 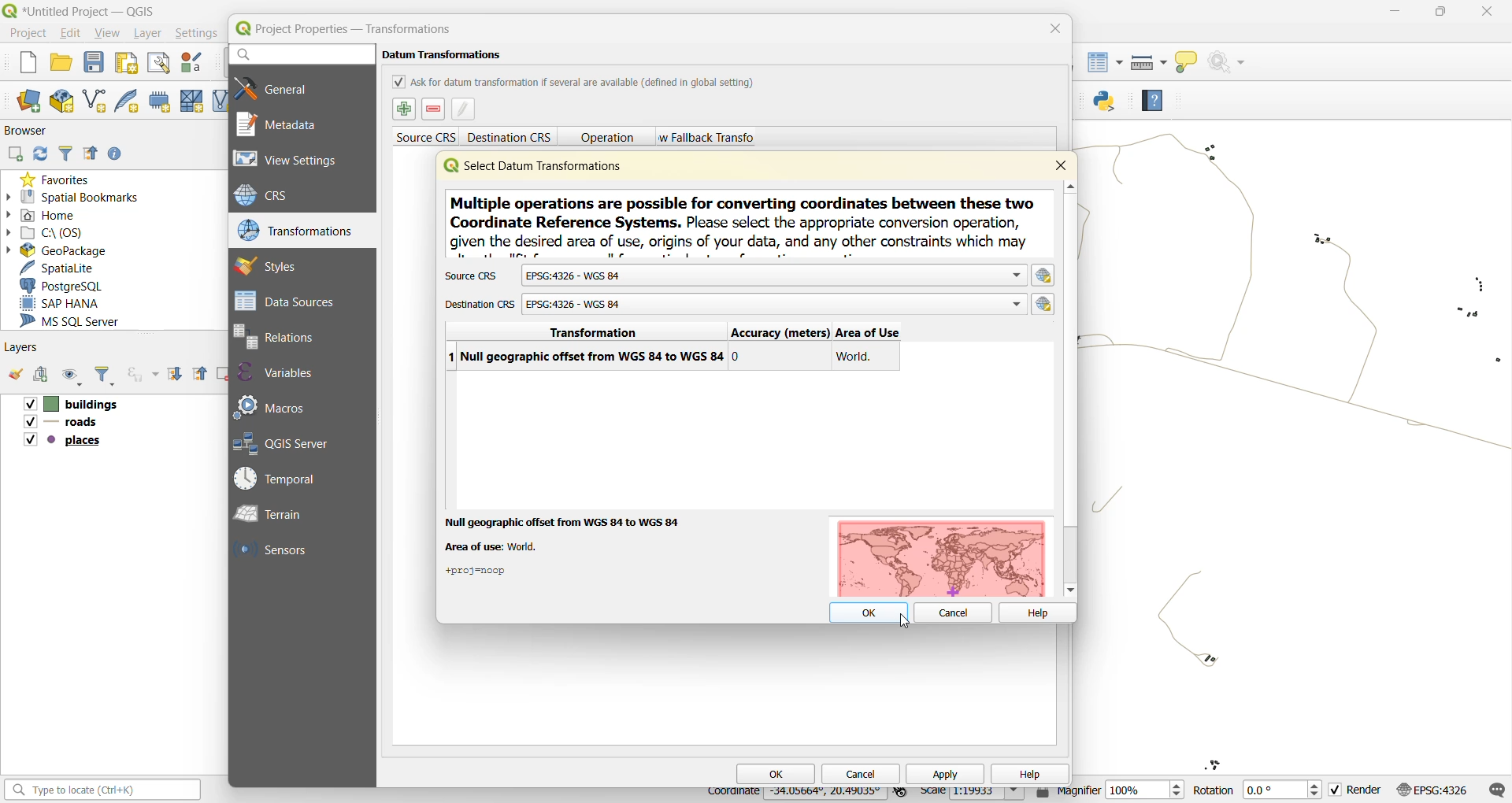 I want to click on qgis server, so click(x=295, y=442).